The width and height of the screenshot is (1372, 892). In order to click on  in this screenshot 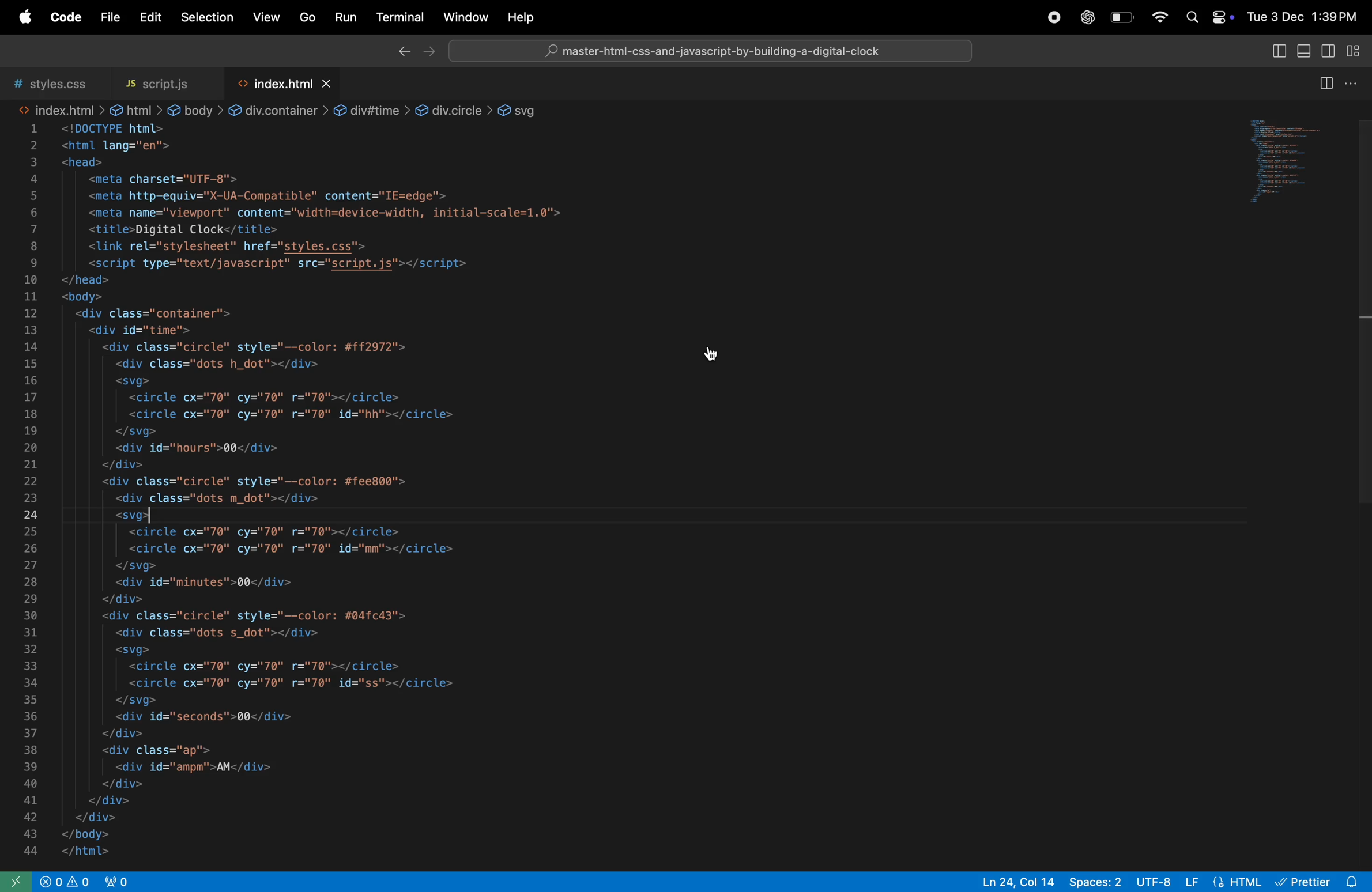, I will do `click(280, 78)`.